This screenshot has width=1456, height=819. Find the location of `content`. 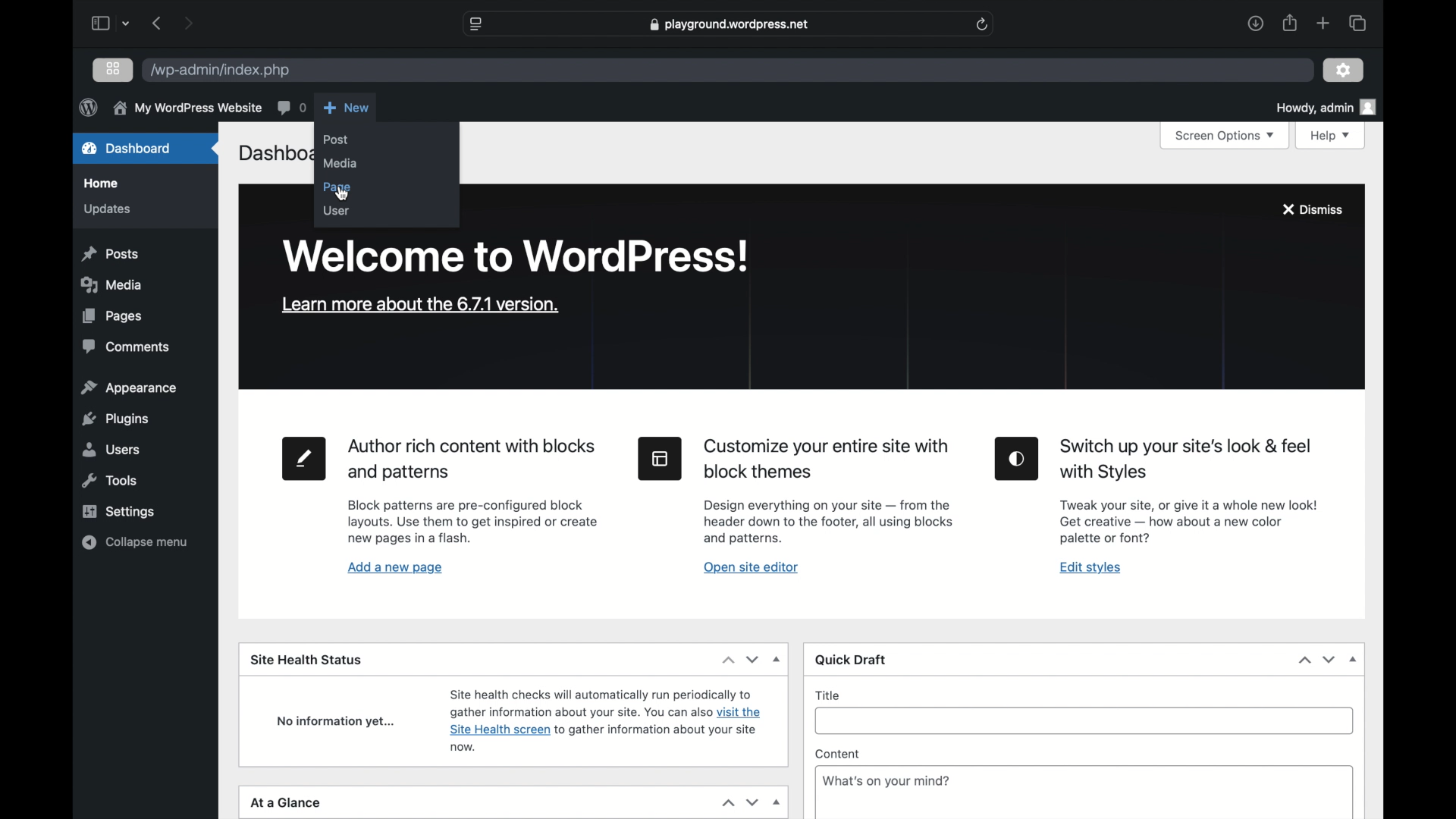

content is located at coordinates (838, 753).